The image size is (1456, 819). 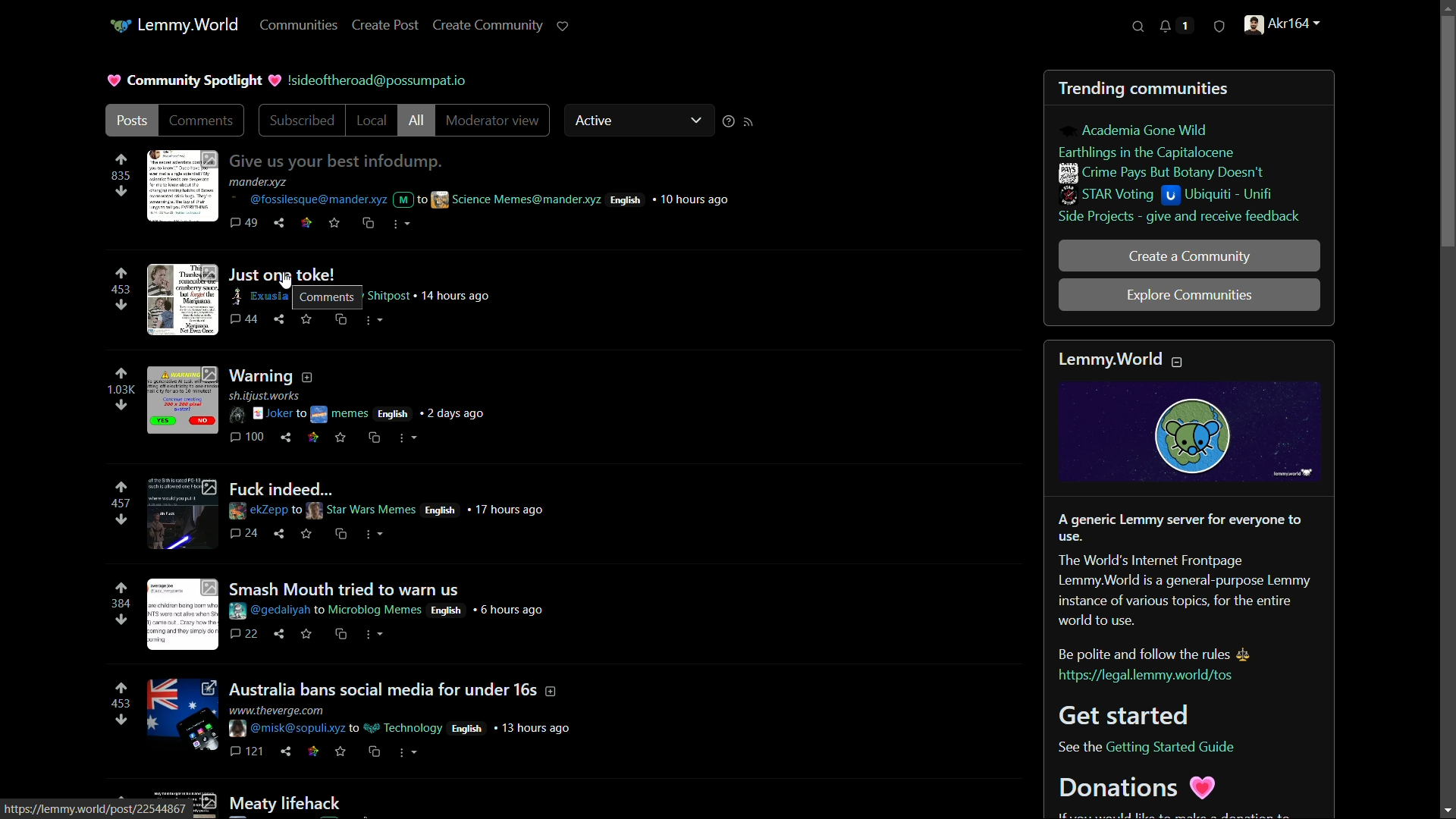 What do you see at coordinates (248, 753) in the screenshot?
I see `121 comments` at bounding box center [248, 753].